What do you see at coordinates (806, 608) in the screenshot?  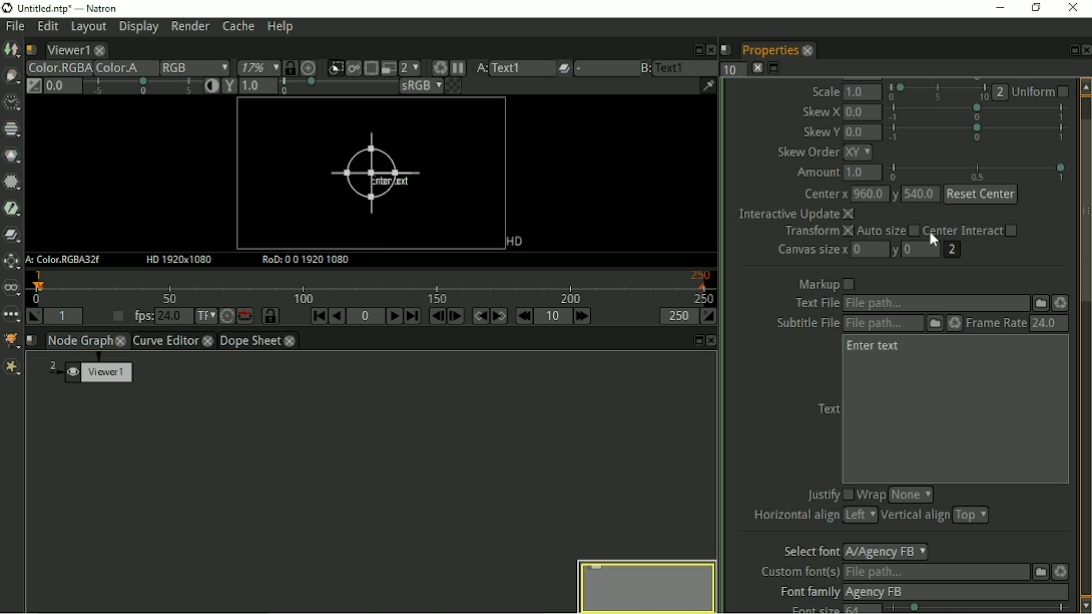 I see `Font size` at bounding box center [806, 608].